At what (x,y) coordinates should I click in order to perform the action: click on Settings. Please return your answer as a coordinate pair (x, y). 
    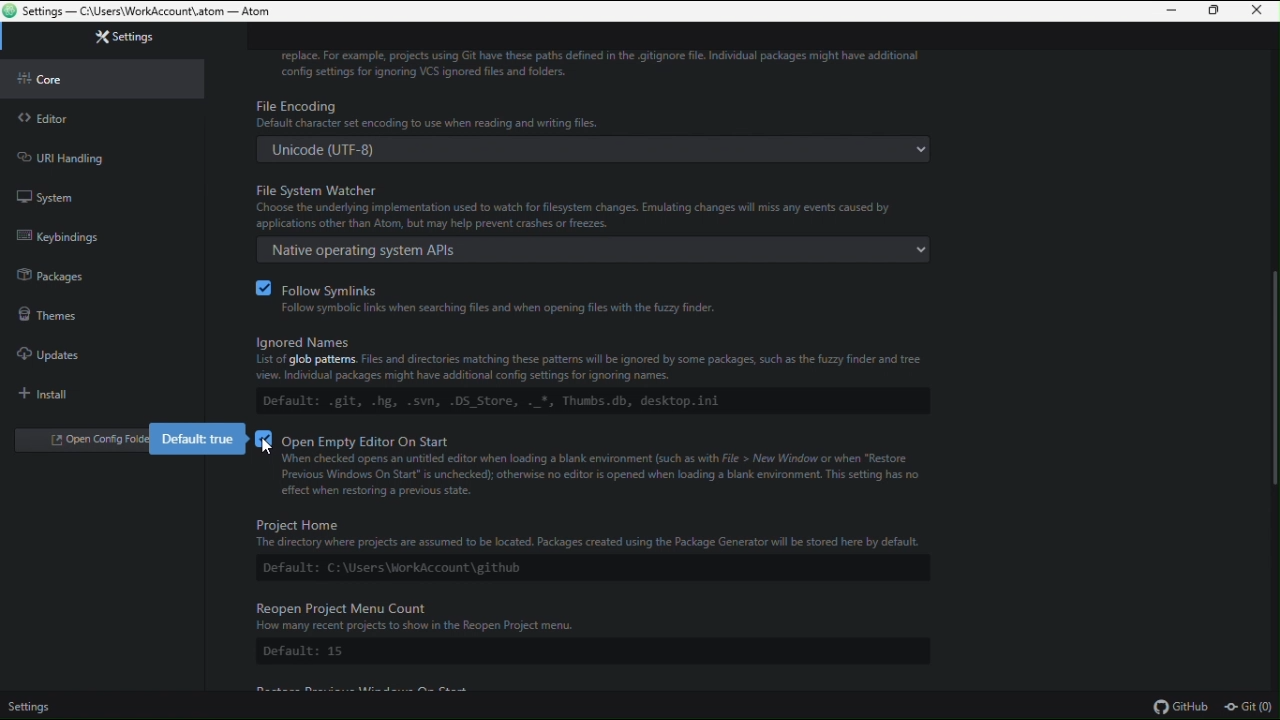
    Looking at the image, I should click on (107, 37).